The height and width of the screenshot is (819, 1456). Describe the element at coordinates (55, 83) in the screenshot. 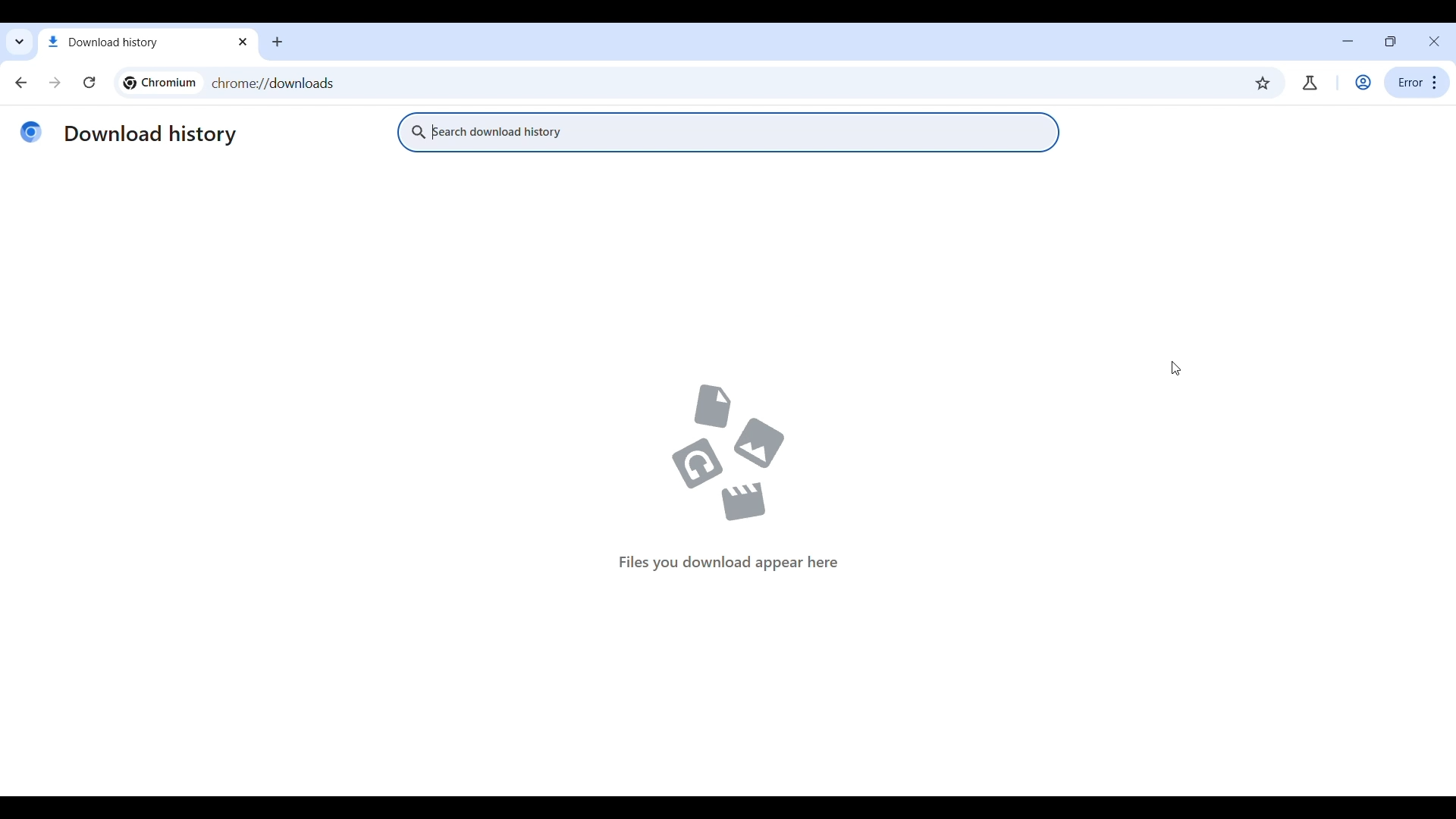

I see `Go forward` at that location.